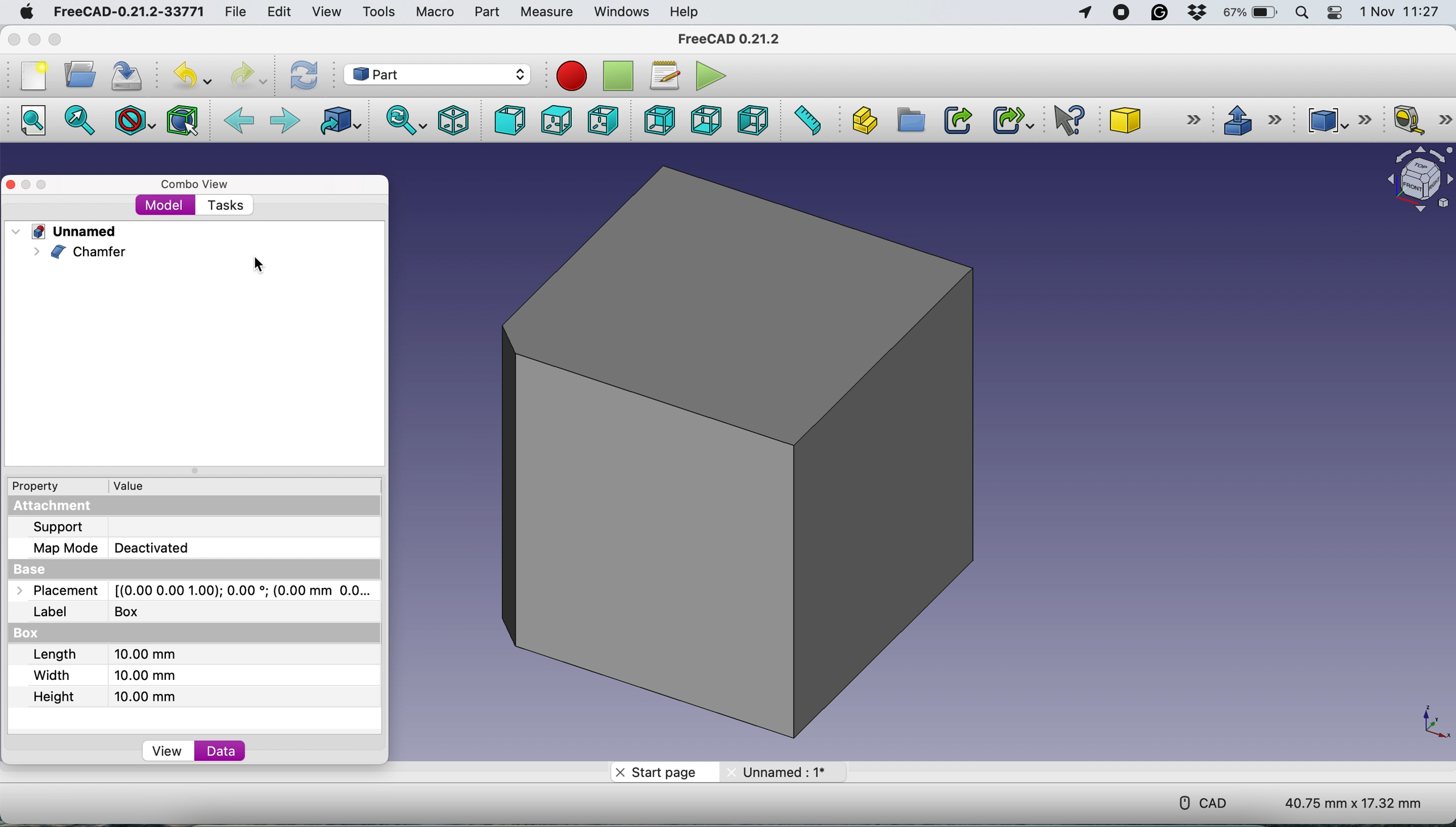  Describe the element at coordinates (195, 185) in the screenshot. I see `combo view` at that location.